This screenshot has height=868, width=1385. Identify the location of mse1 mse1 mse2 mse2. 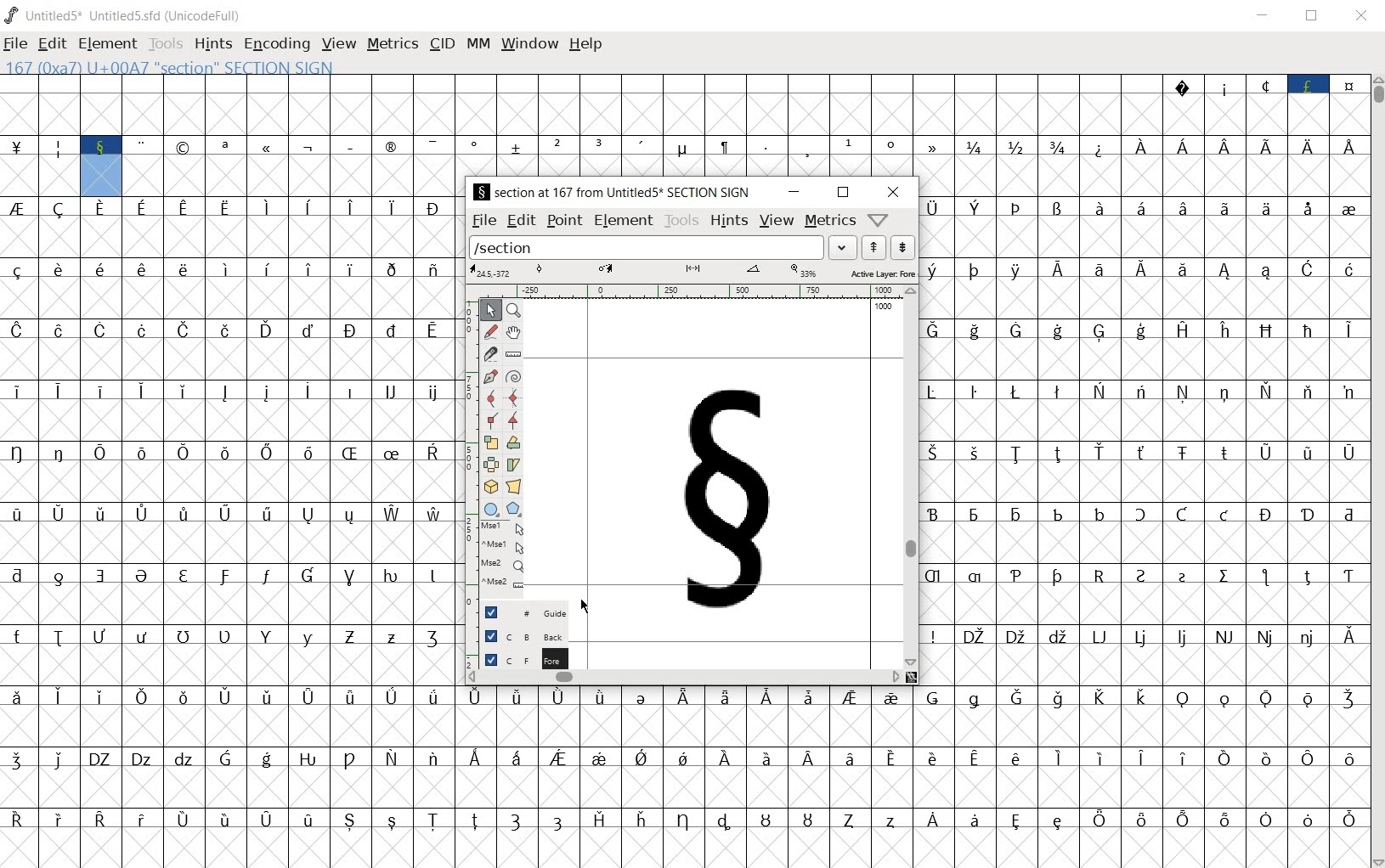
(506, 559).